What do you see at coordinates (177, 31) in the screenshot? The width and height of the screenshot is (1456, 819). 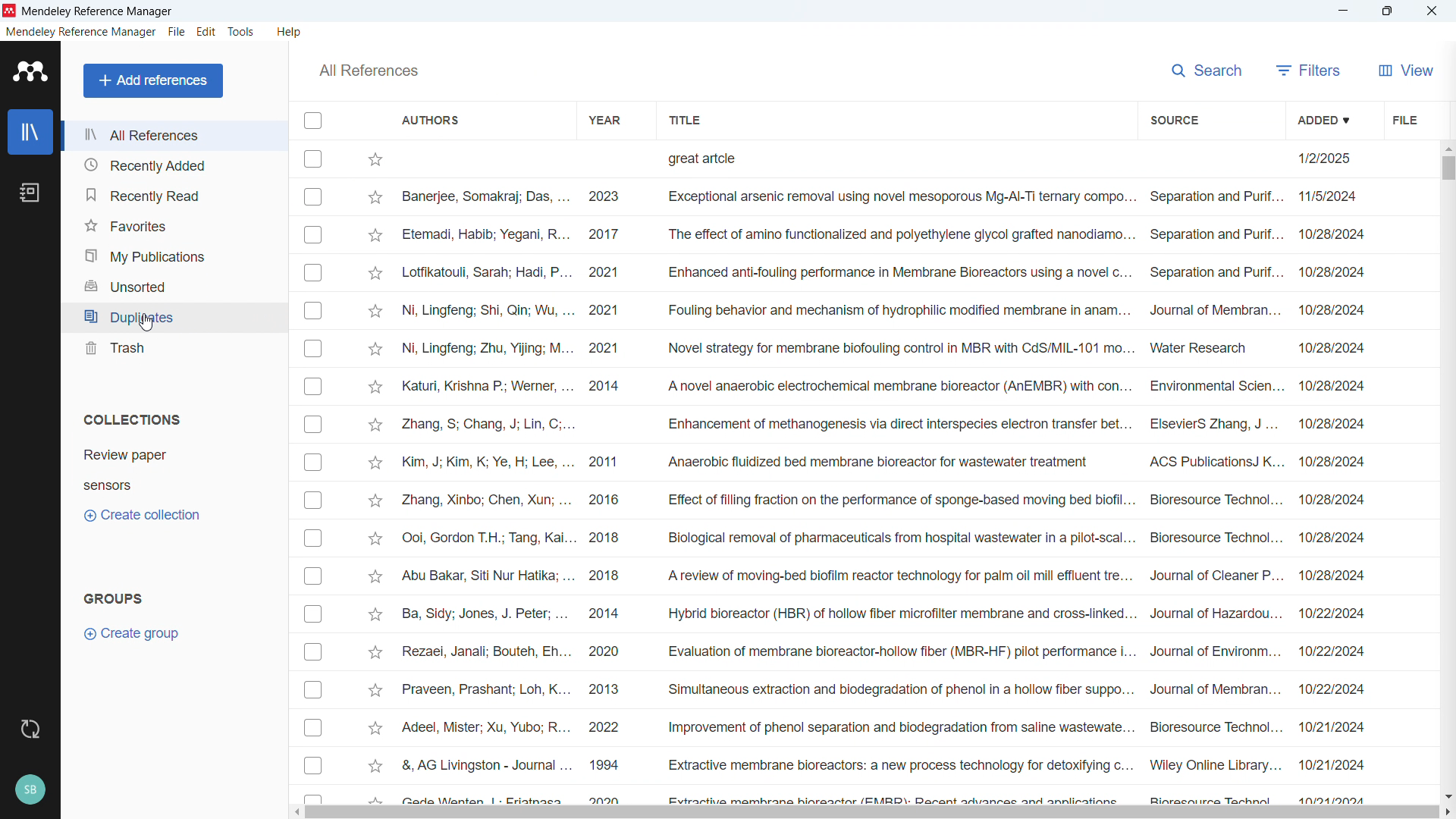 I see `File ` at bounding box center [177, 31].